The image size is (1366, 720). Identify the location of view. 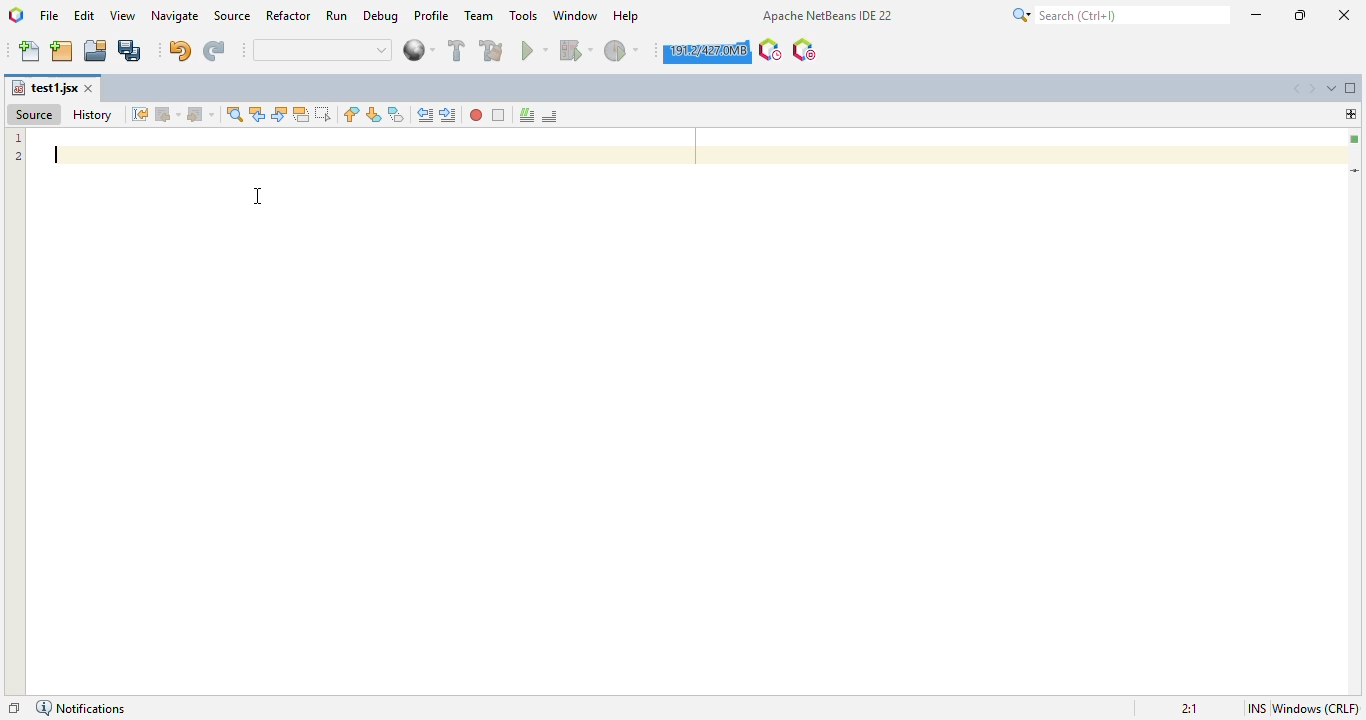
(124, 15).